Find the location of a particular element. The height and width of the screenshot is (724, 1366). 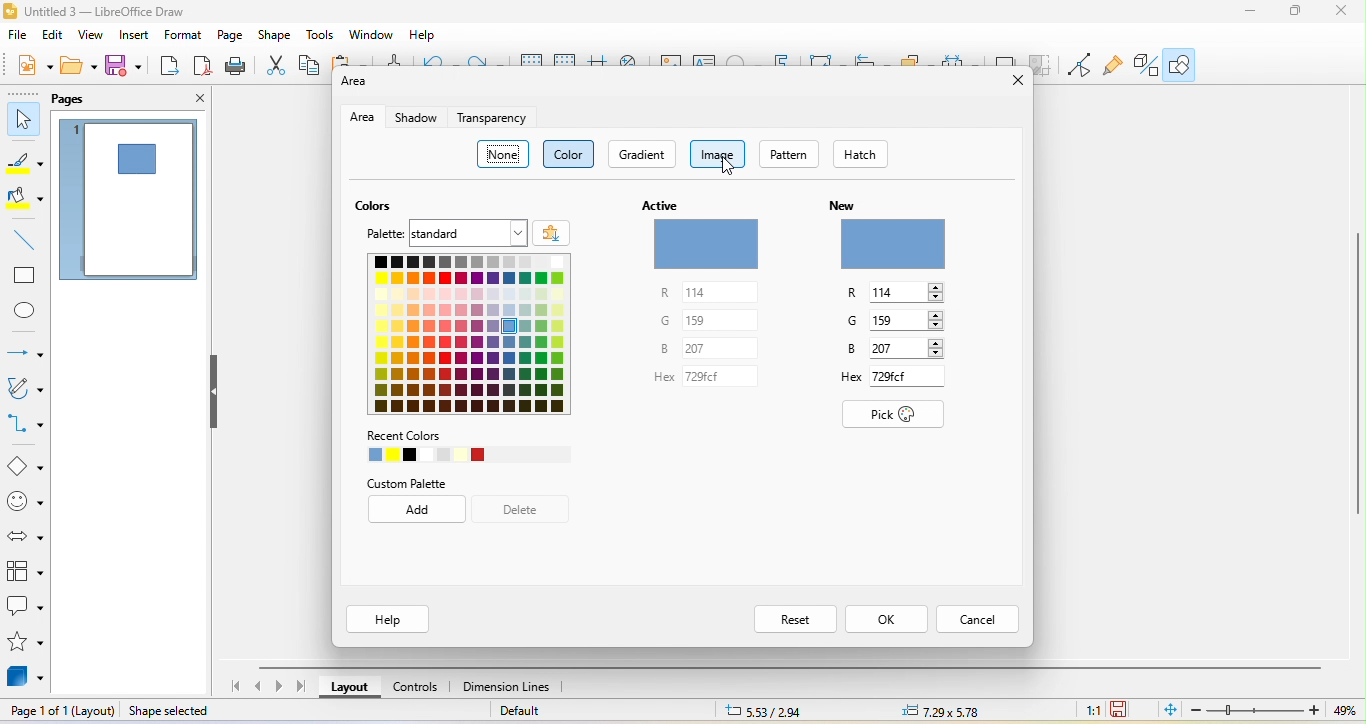

edit is located at coordinates (56, 36).